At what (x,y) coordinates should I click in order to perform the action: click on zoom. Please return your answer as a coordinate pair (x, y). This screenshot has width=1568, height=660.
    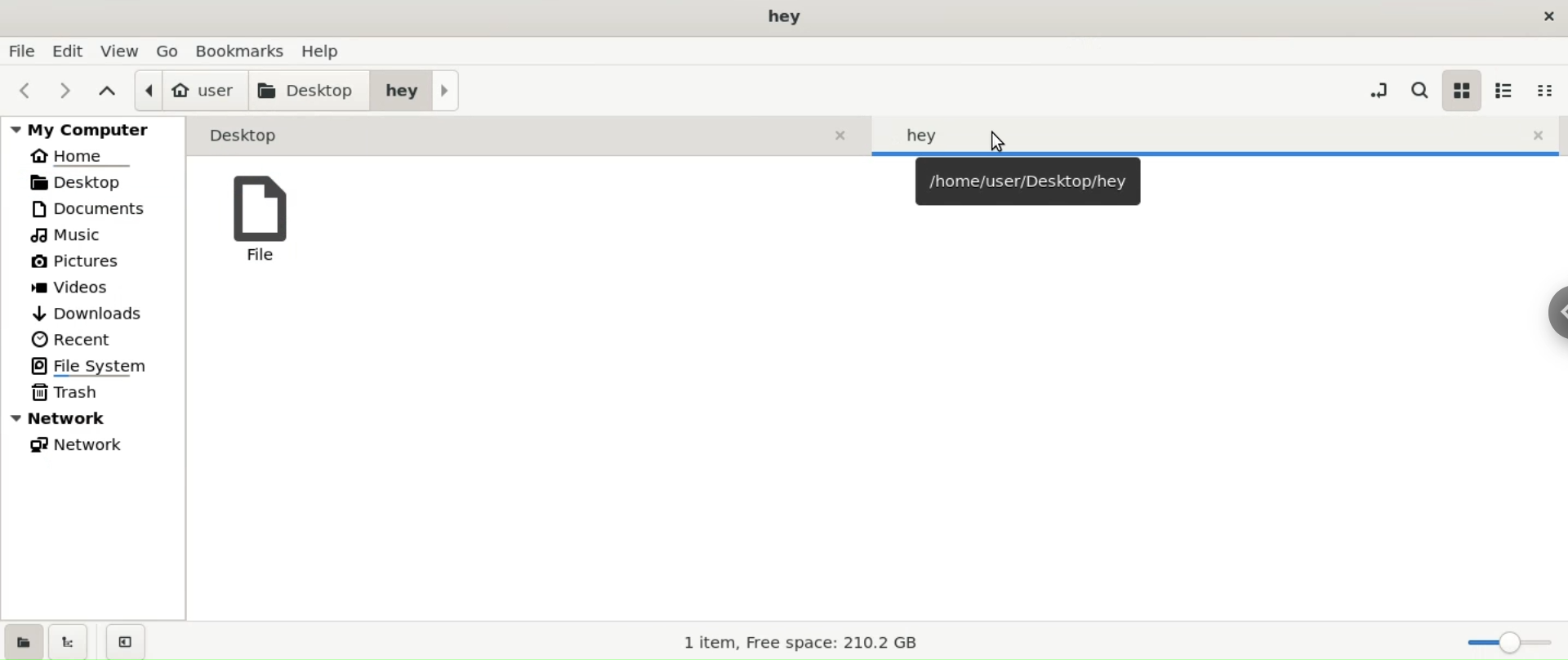
    Looking at the image, I should click on (1505, 643).